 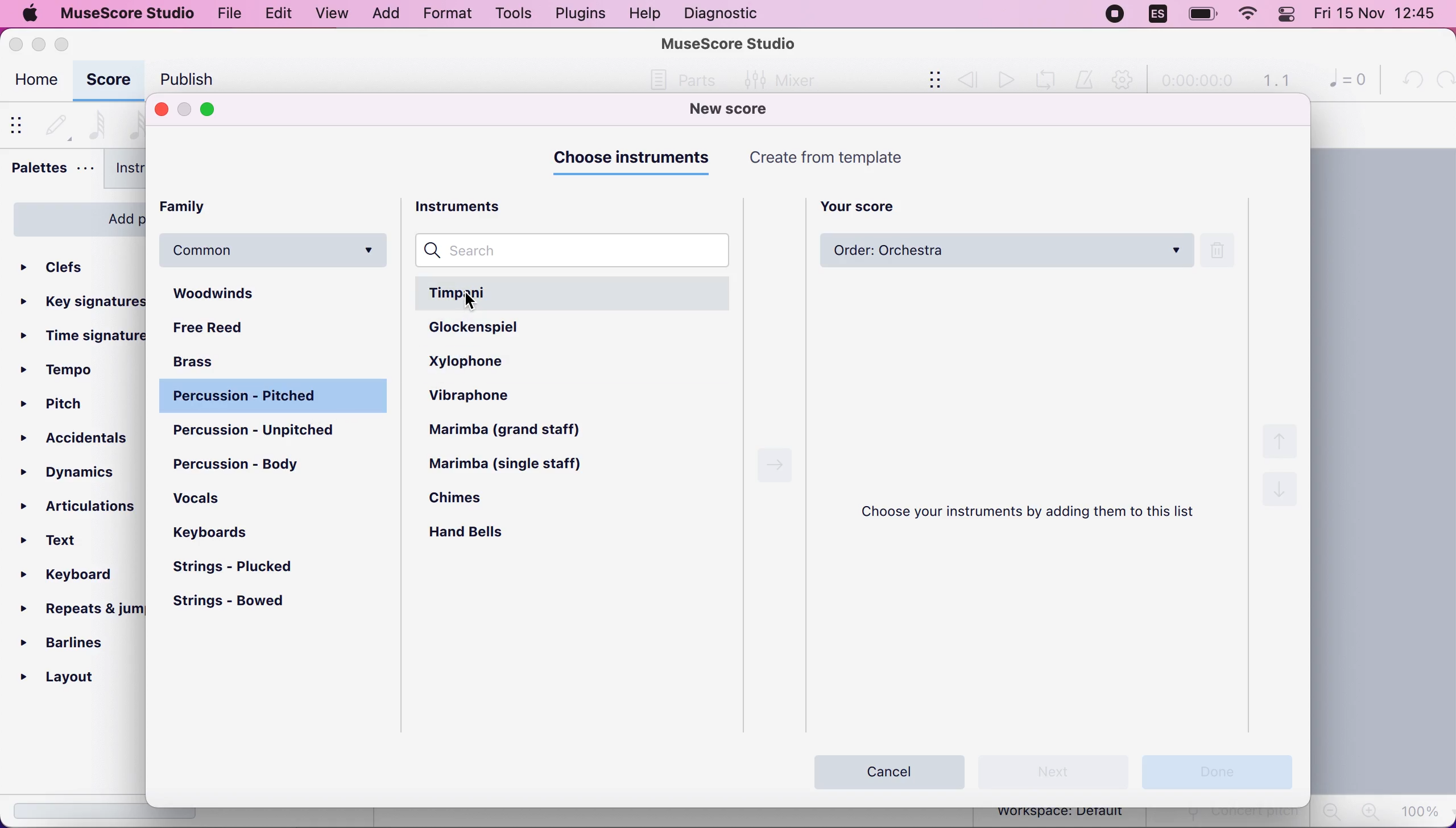 I want to click on zoom in, so click(x=1368, y=812).